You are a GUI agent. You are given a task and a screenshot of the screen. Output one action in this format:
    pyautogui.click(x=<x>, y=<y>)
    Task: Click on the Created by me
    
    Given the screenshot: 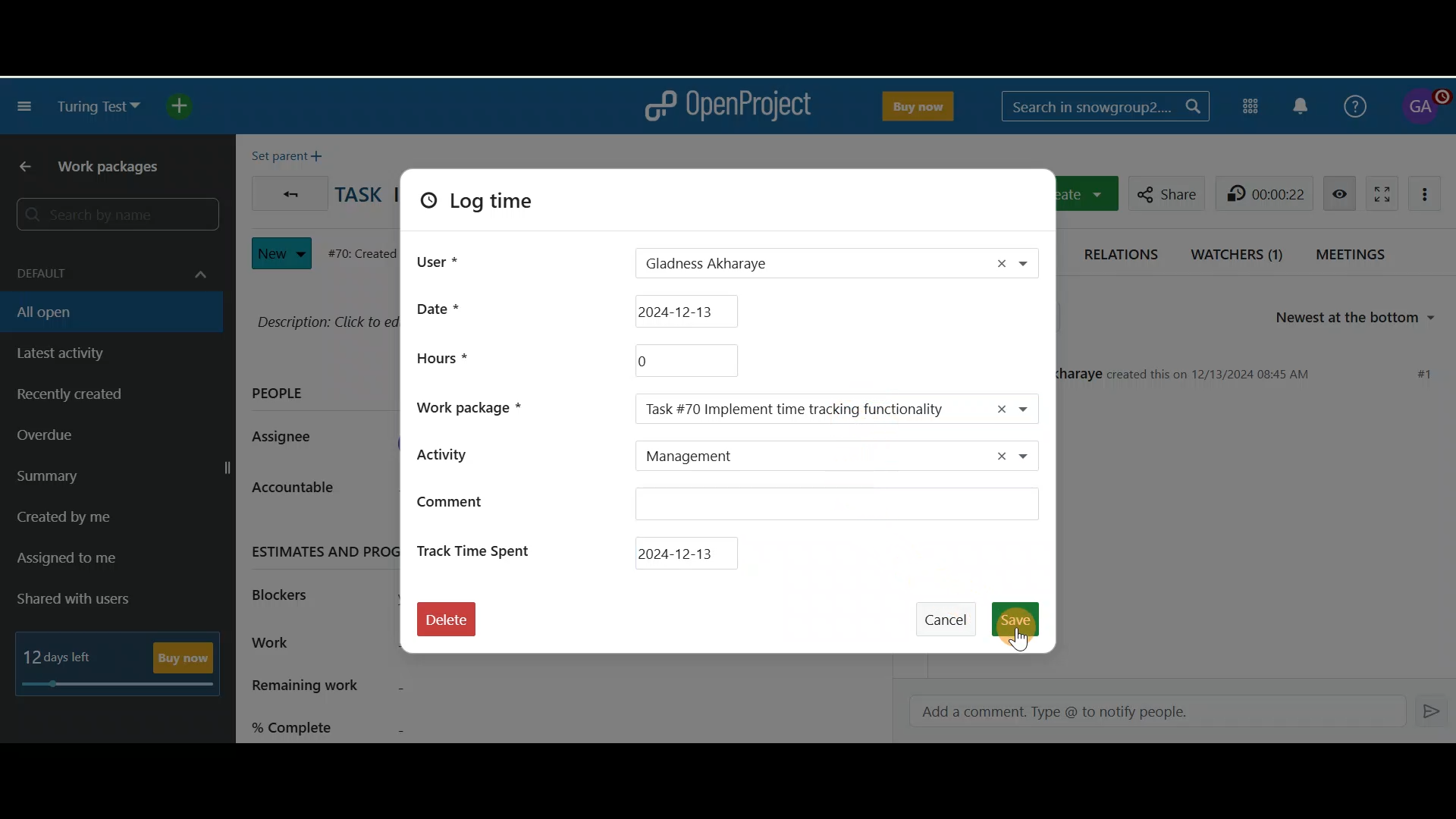 What is the action you would take?
    pyautogui.click(x=100, y=522)
    